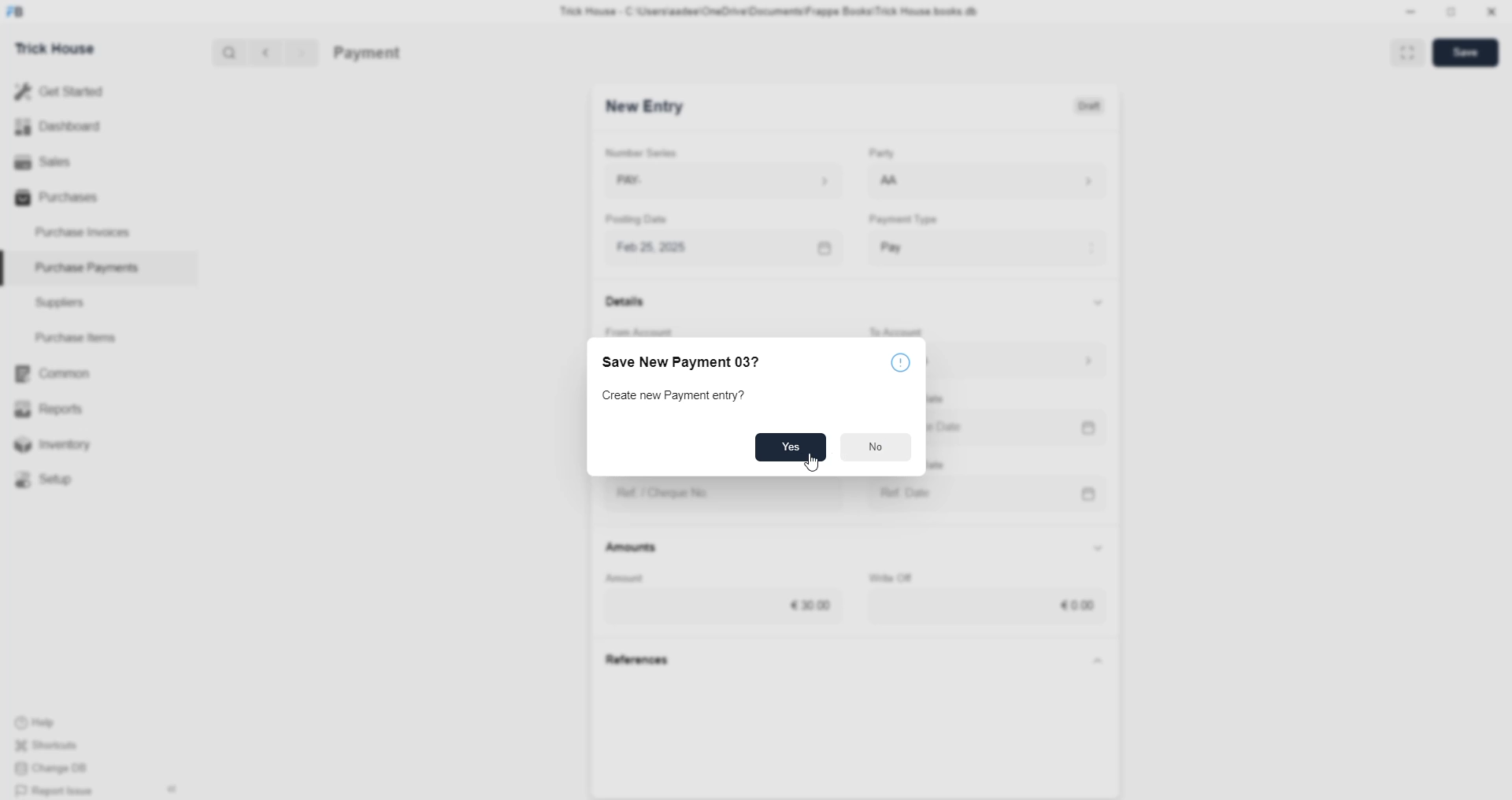  What do you see at coordinates (60, 769) in the screenshot?
I see `Change DB` at bounding box center [60, 769].